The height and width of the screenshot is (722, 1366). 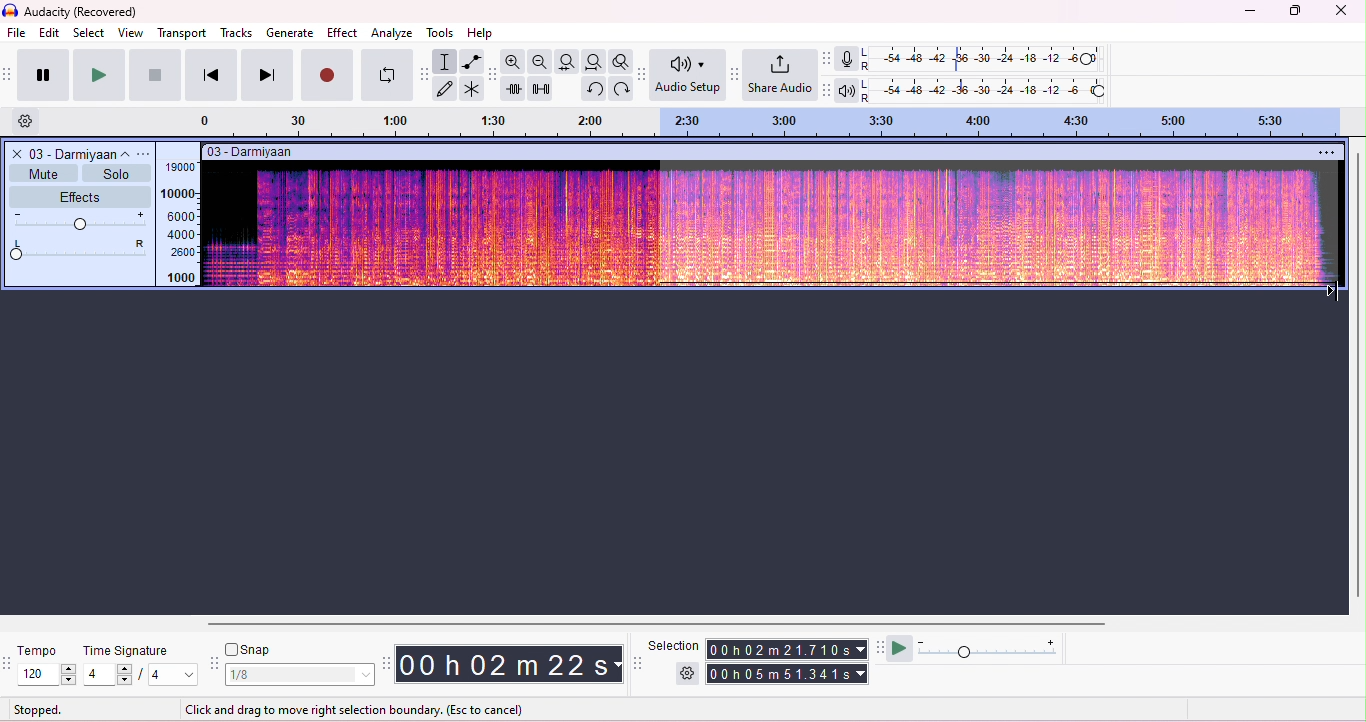 What do you see at coordinates (142, 674) in the screenshot?
I see `select time signature` at bounding box center [142, 674].